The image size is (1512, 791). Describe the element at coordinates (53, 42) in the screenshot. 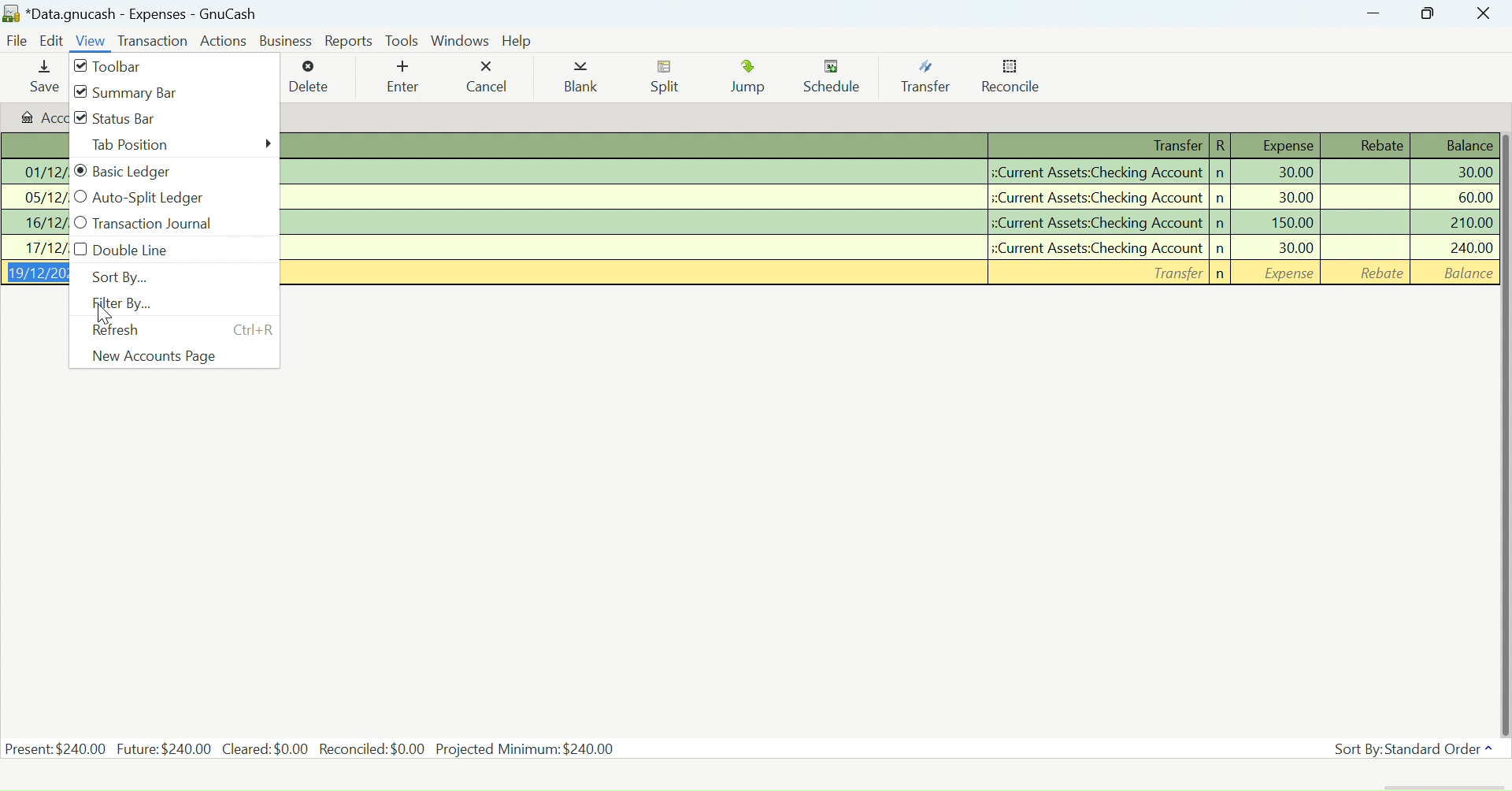

I see `Edit` at that location.